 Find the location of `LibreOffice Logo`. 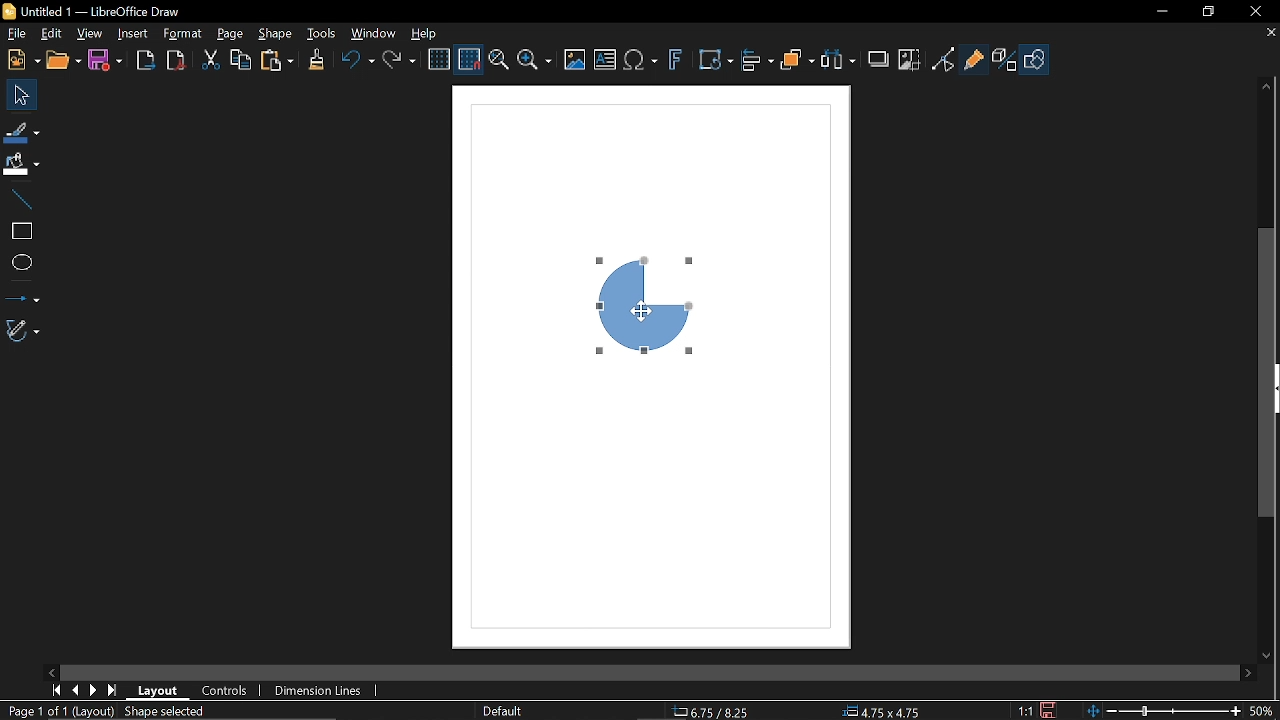

LibreOffice Logo is located at coordinates (10, 11).